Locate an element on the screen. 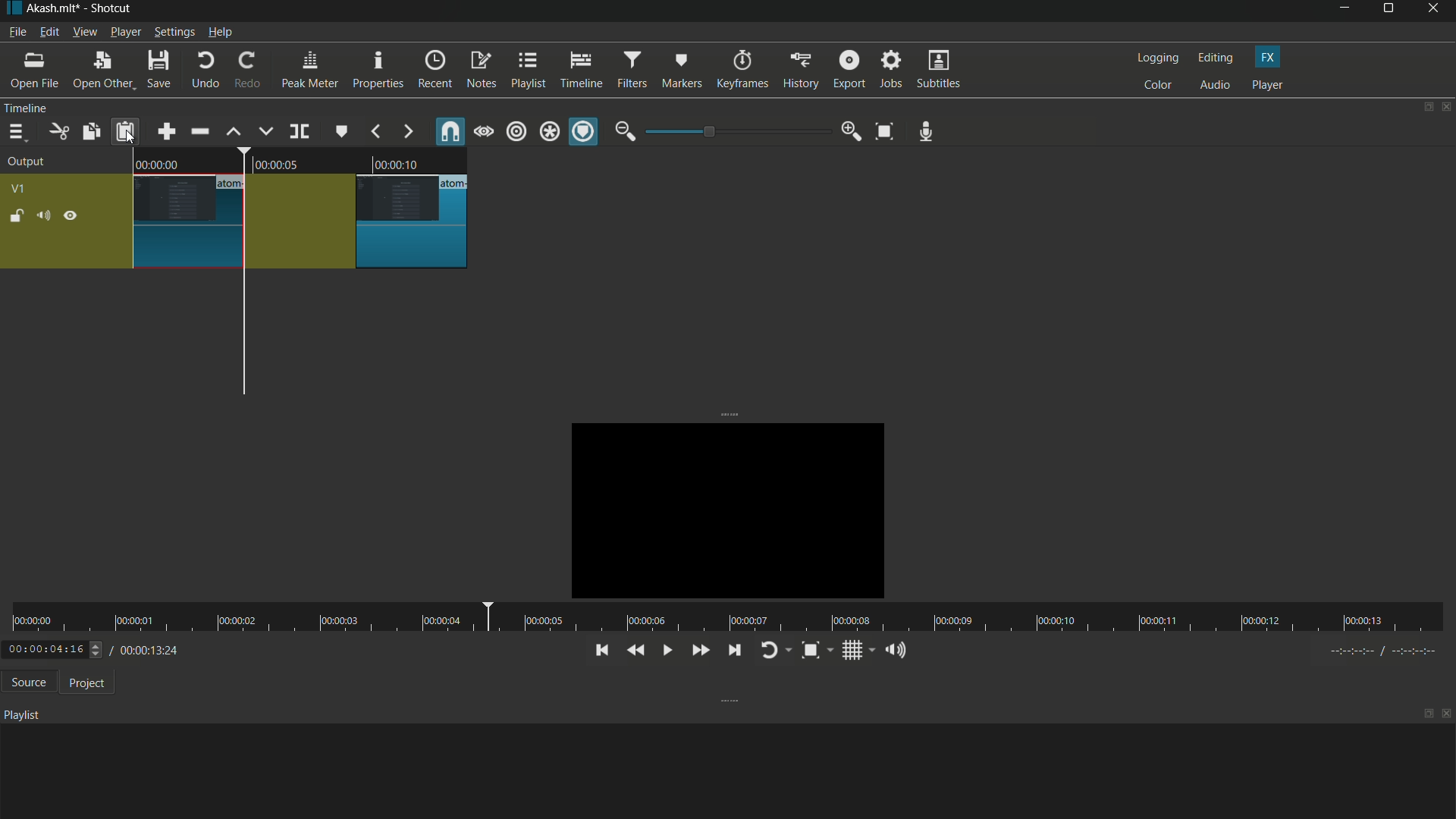 The height and width of the screenshot is (819, 1456). playlist is located at coordinates (527, 71).